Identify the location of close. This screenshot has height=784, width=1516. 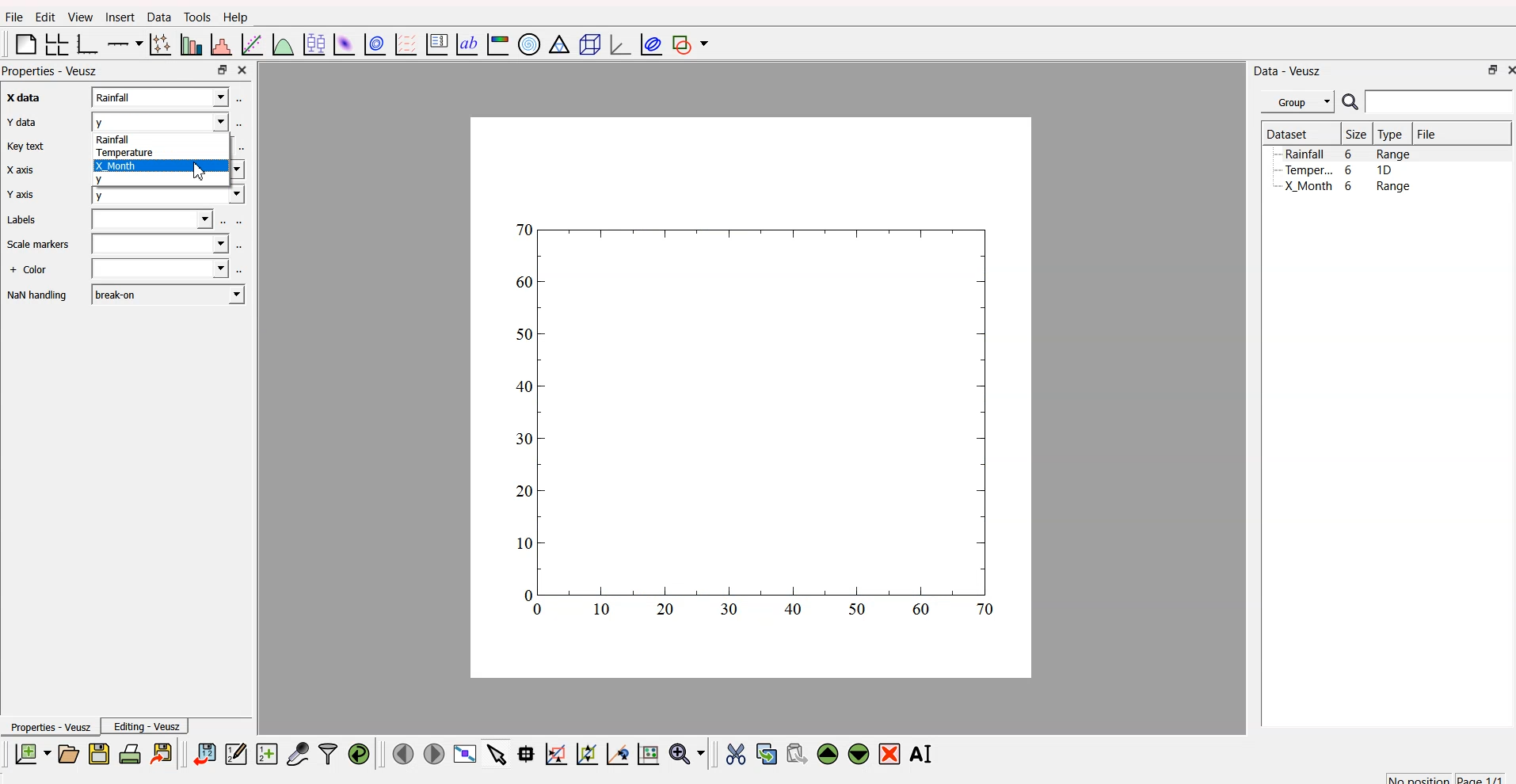
(245, 70).